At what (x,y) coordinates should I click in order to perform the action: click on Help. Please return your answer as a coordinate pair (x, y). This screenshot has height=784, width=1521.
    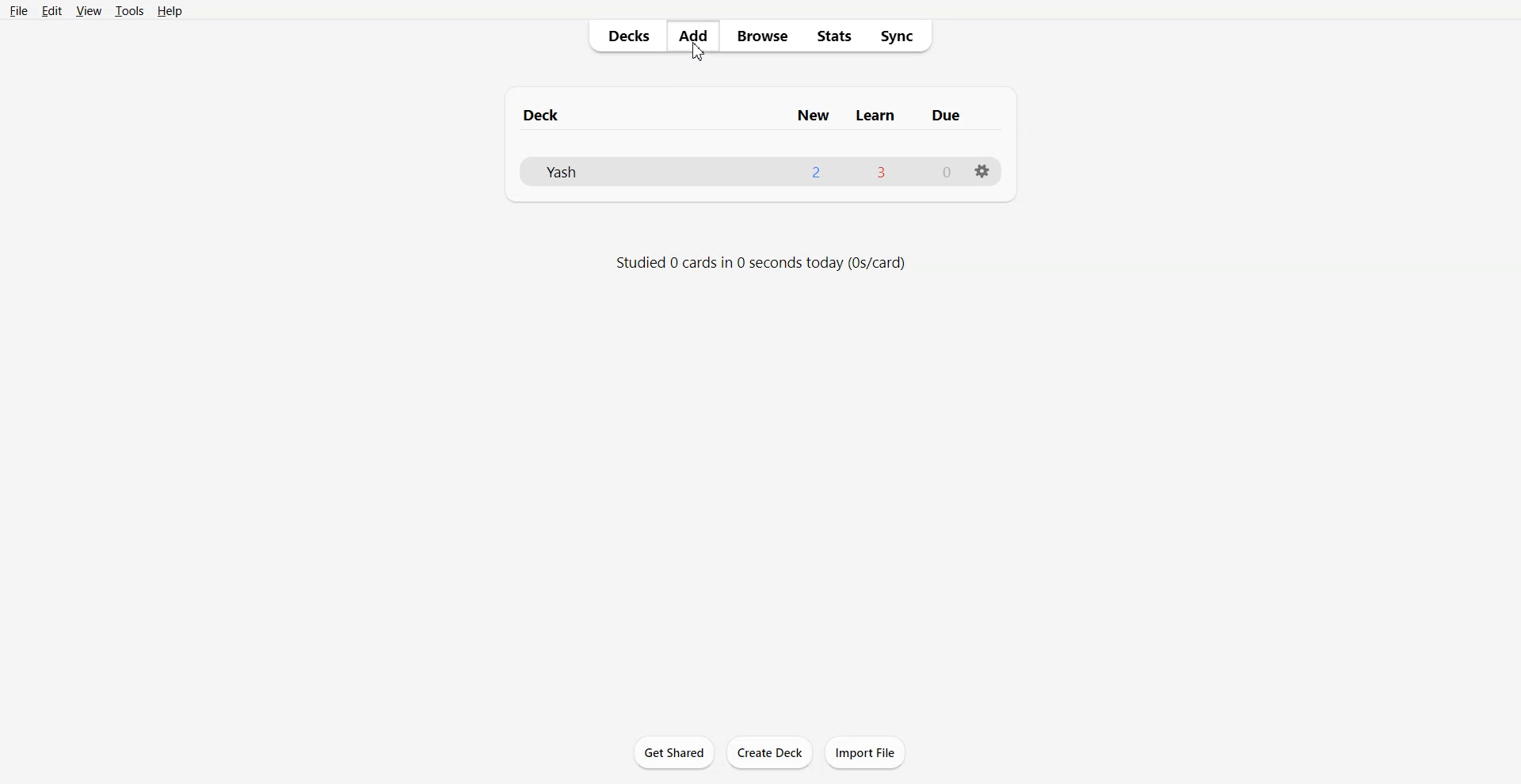
    Looking at the image, I should click on (170, 10).